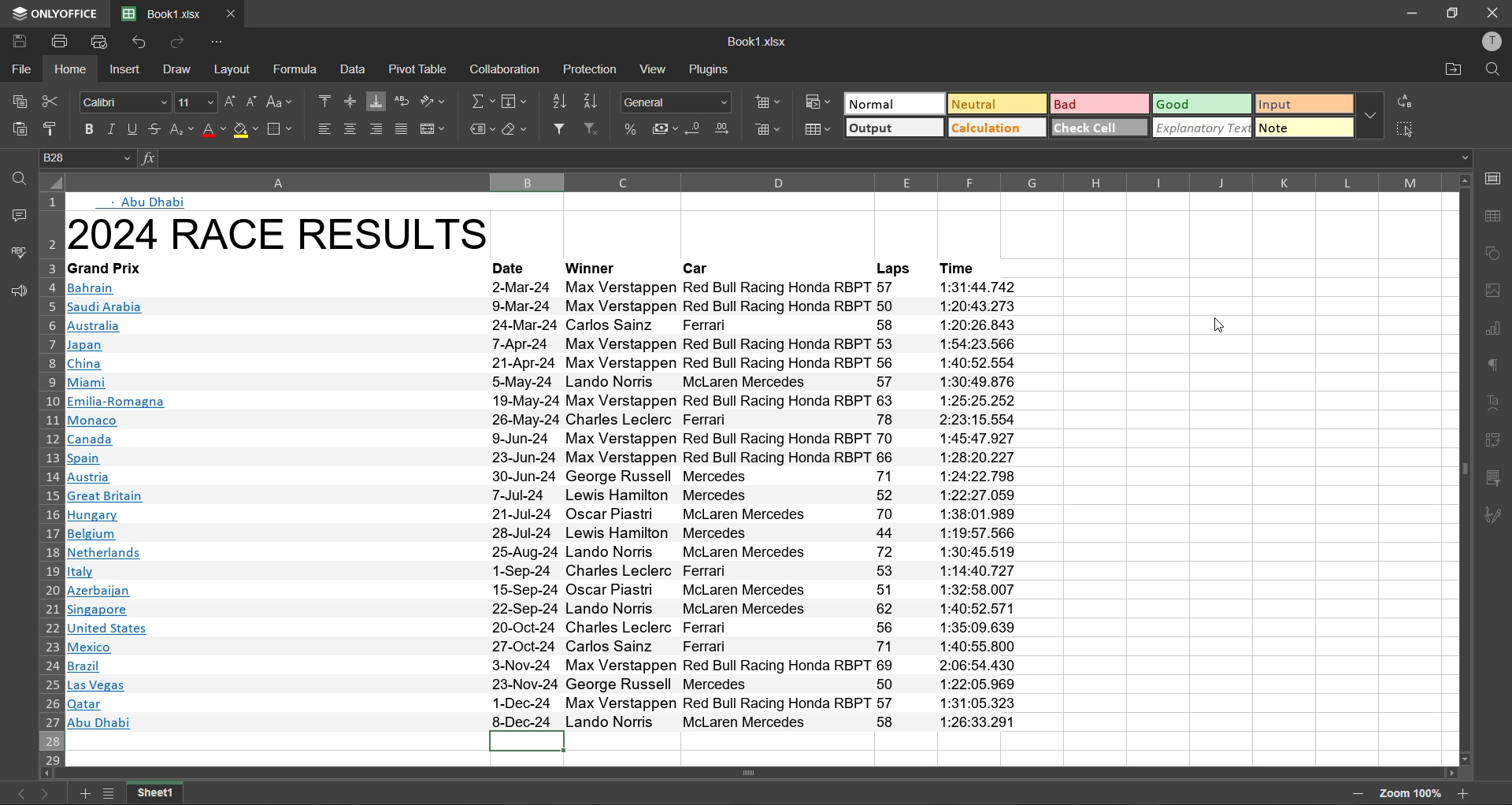  What do you see at coordinates (17, 794) in the screenshot?
I see `previous` at bounding box center [17, 794].